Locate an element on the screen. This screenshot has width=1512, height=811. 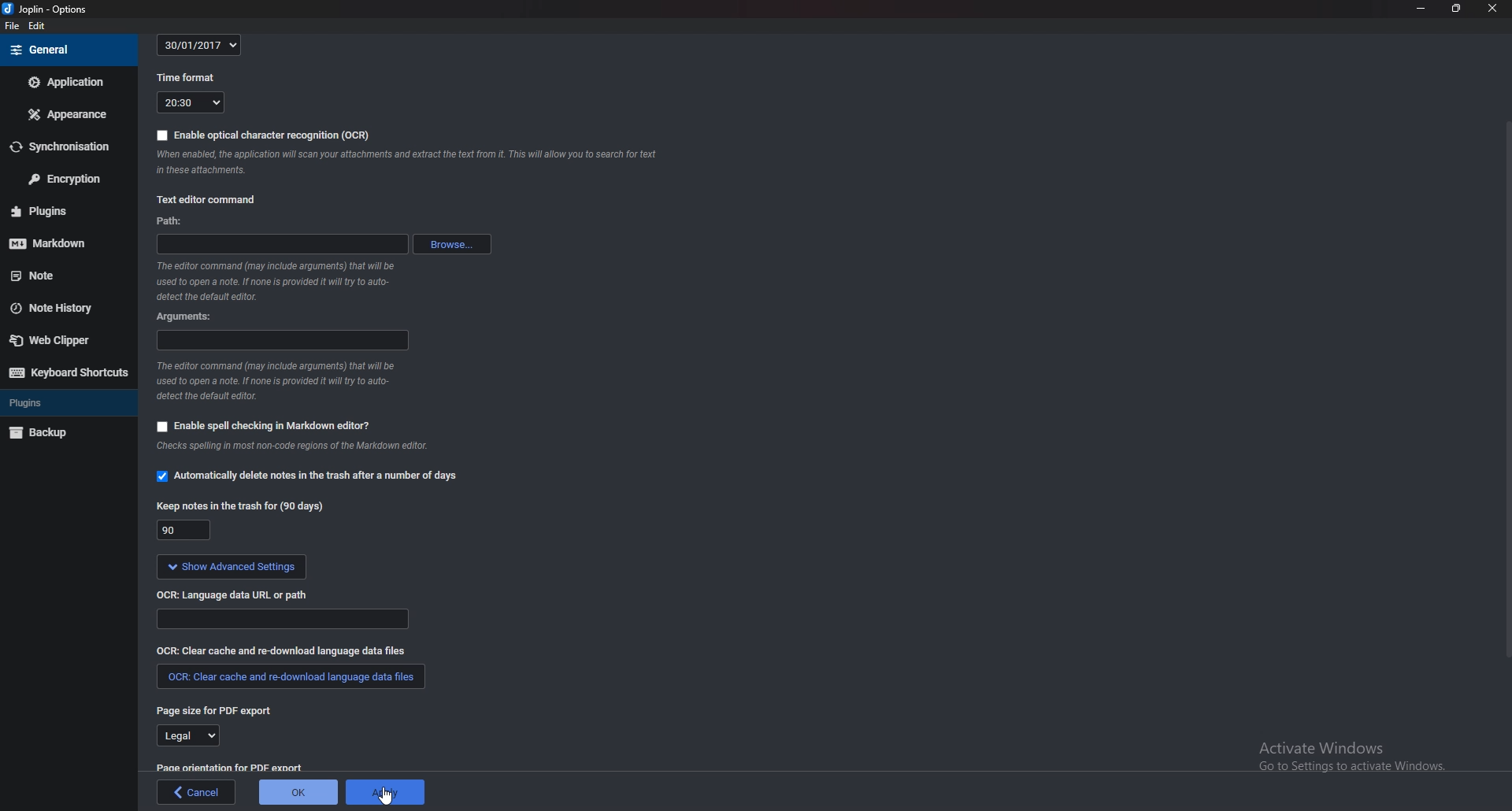
Apply is located at coordinates (388, 791).